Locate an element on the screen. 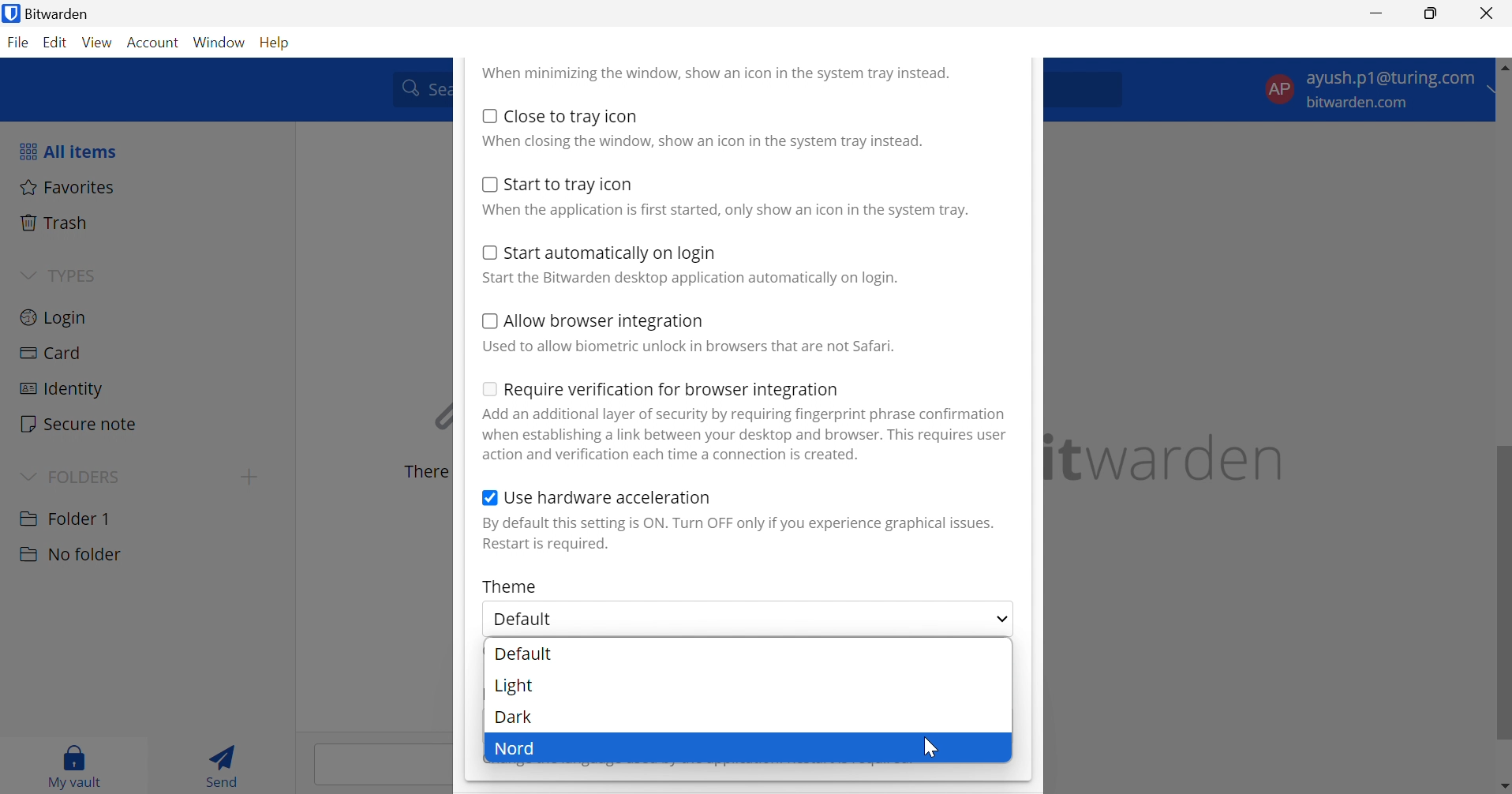  Checkbox is located at coordinates (486, 252).